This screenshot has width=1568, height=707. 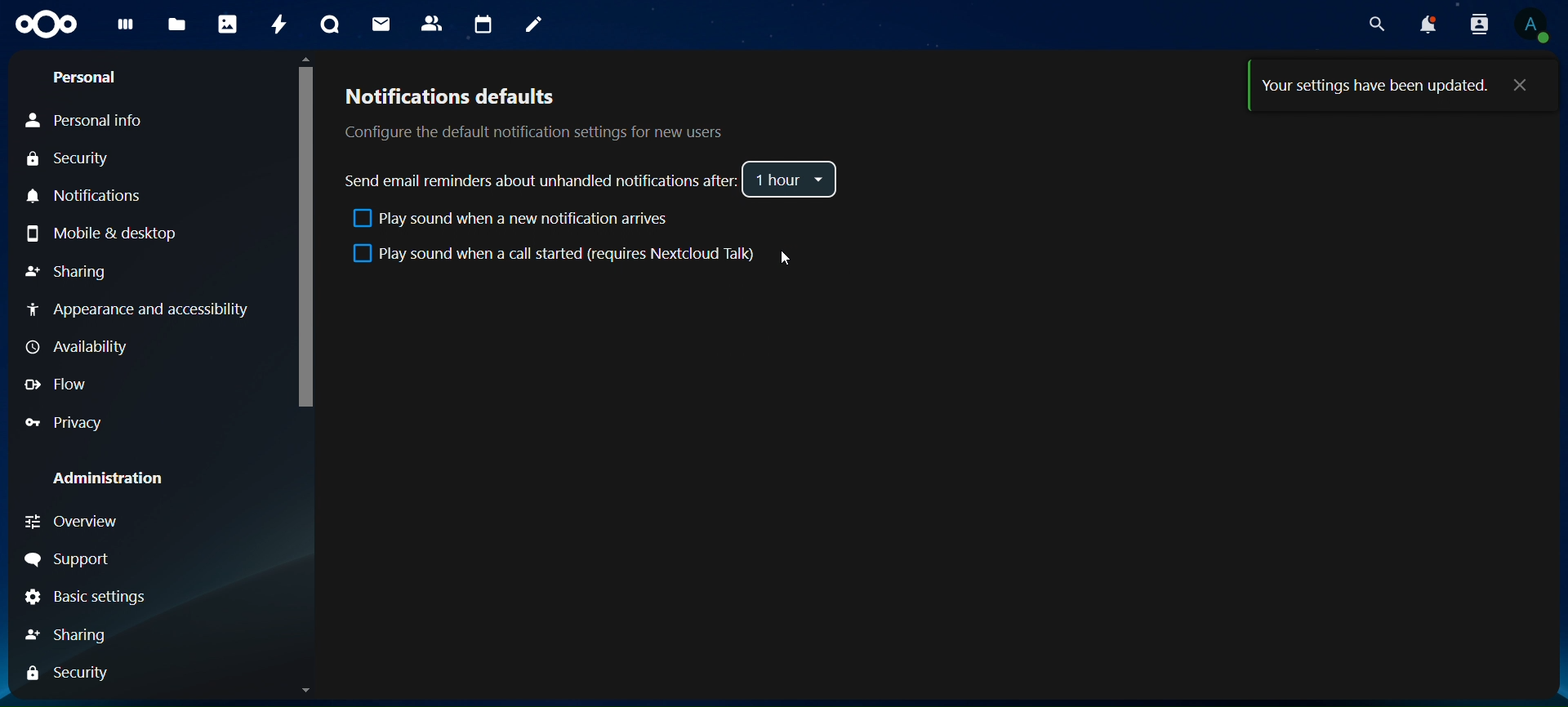 I want to click on close, so click(x=1524, y=86).